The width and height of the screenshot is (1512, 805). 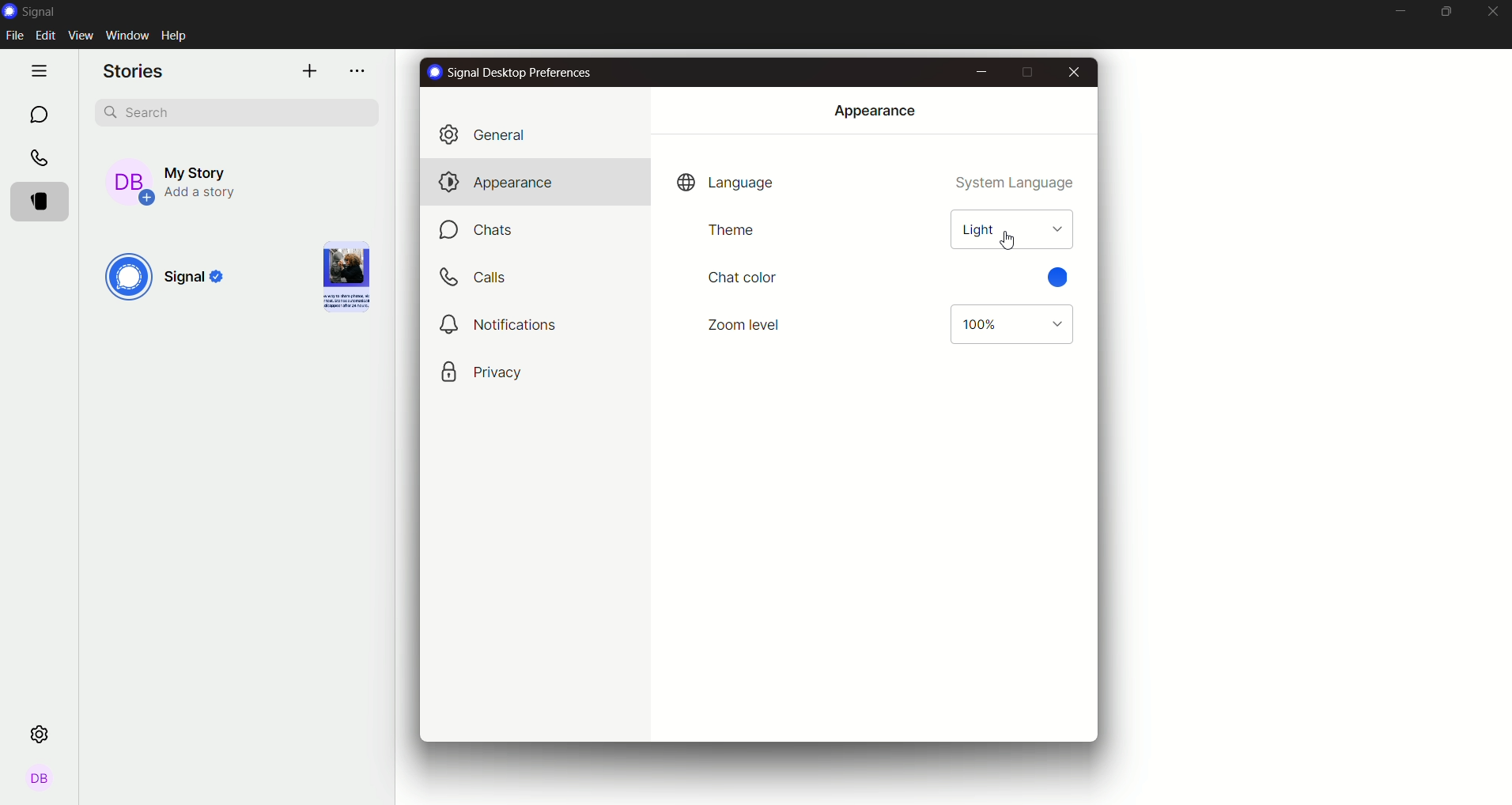 I want to click on chat, so click(x=38, y=114).